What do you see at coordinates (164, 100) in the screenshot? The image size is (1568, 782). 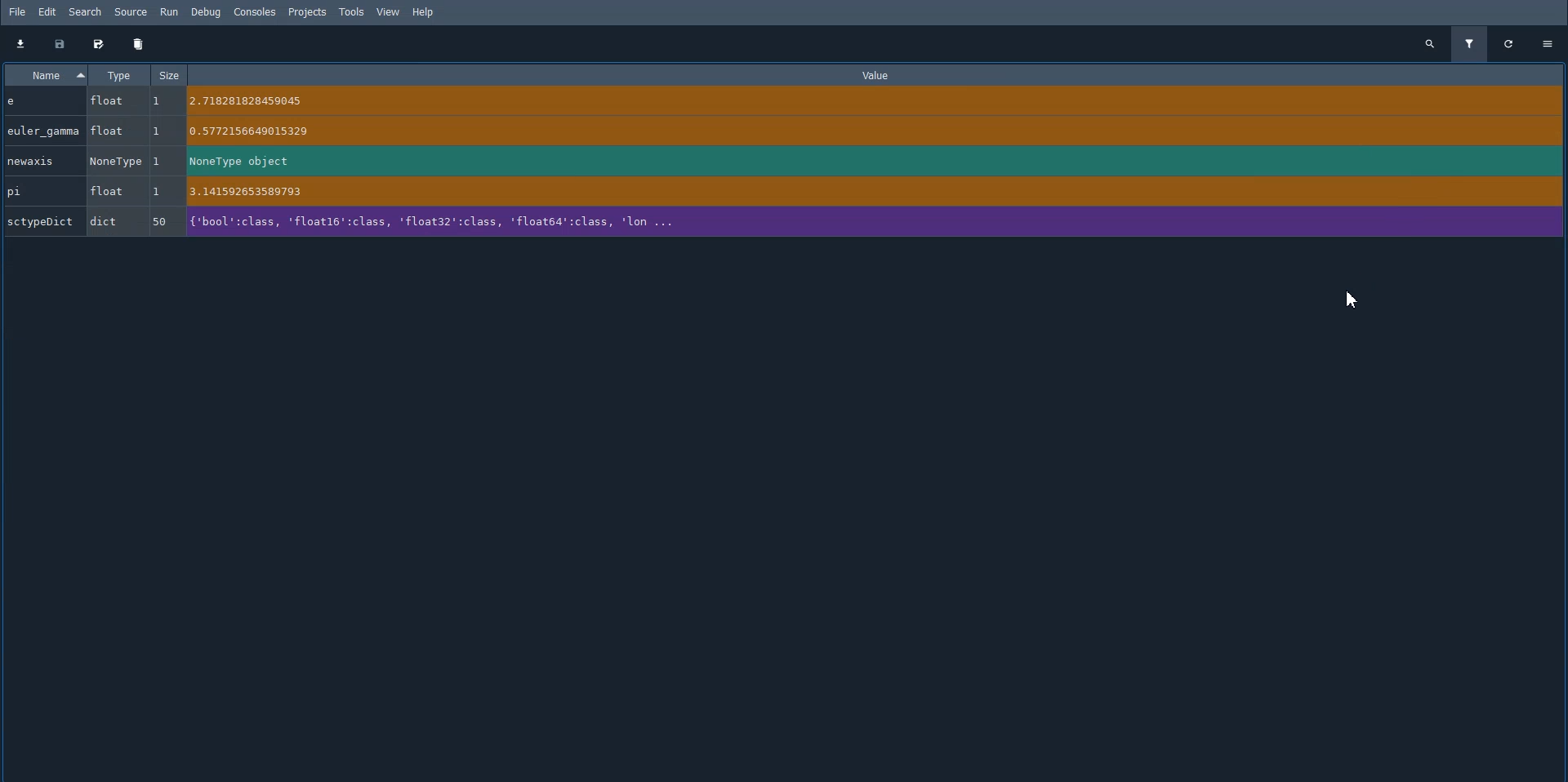 I see `` at bounding box center [164, 100].